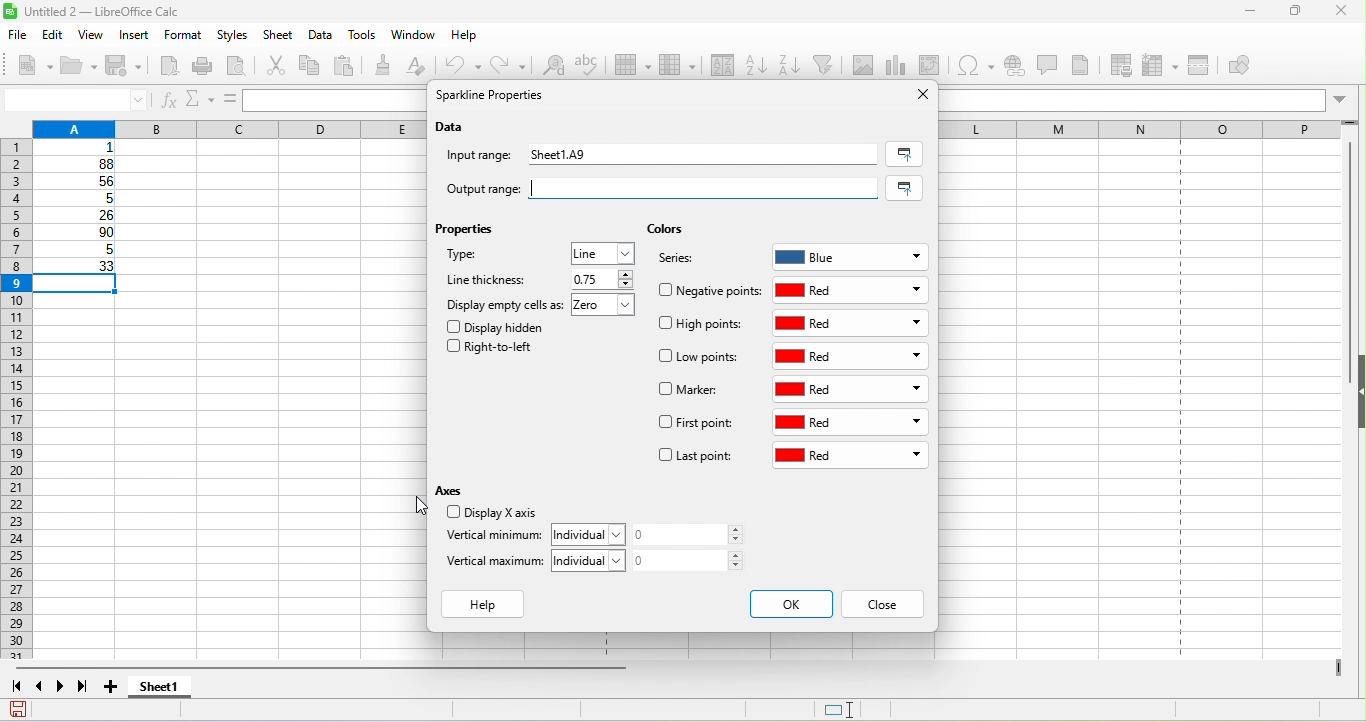 This screenshot has height=722, width=1366. Describe the element at coordinates (496, 350) in the screenshot. I see `right to left` at that location.